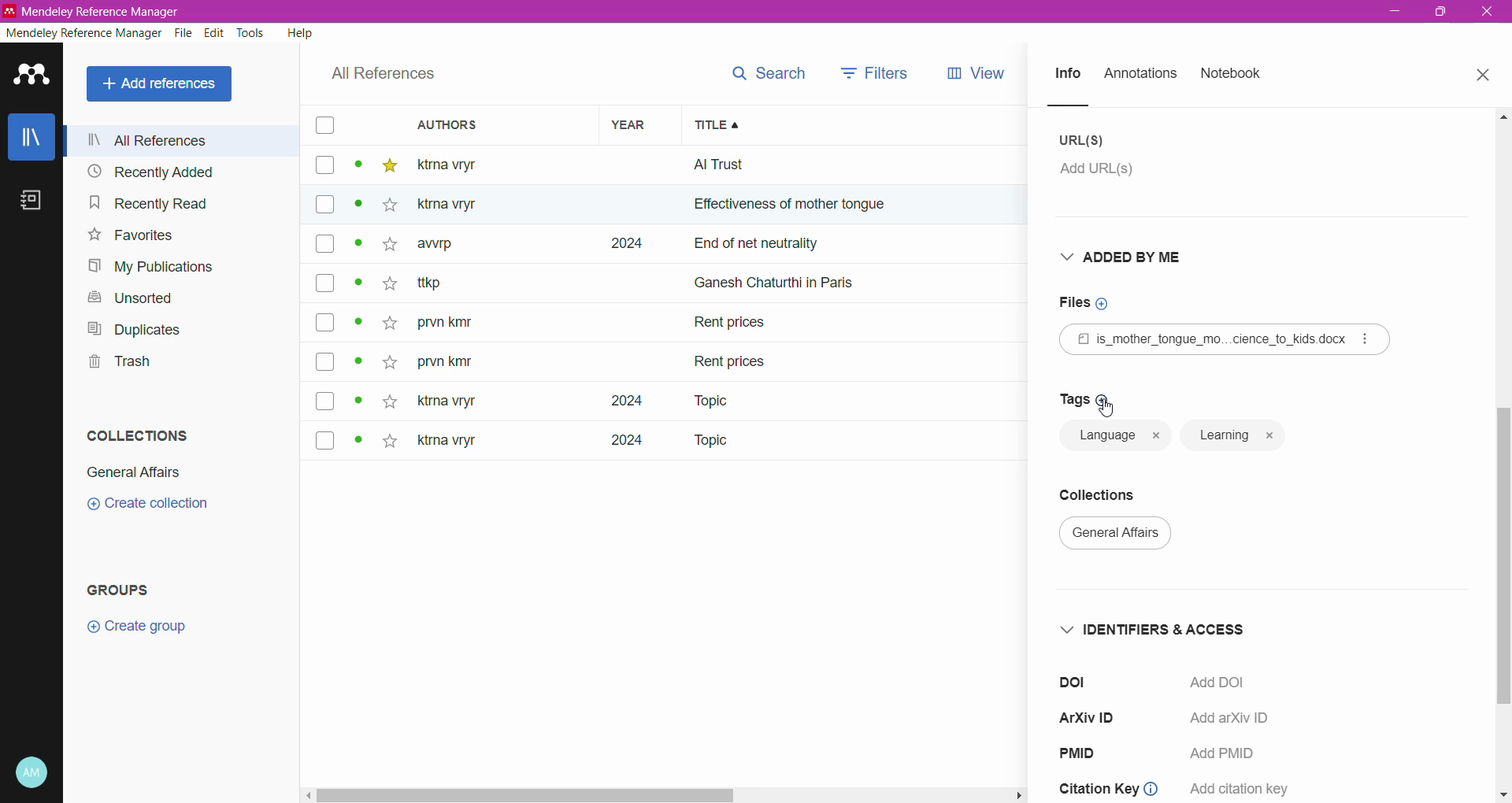  Describe the element at coordinates (1232, 435) in the screenshot. I see `learning` at that location.